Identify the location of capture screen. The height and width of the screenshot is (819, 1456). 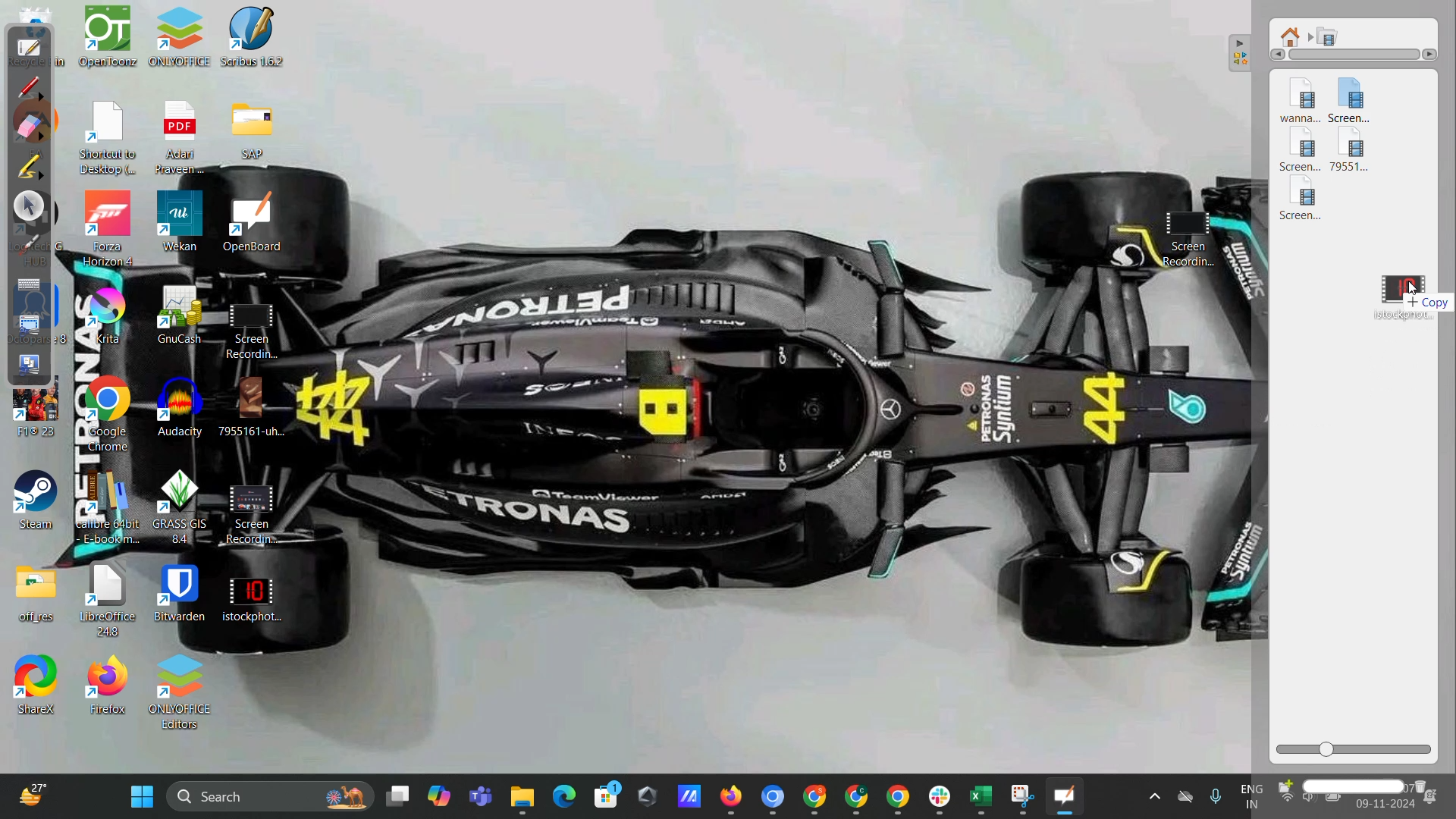
(29, 366).